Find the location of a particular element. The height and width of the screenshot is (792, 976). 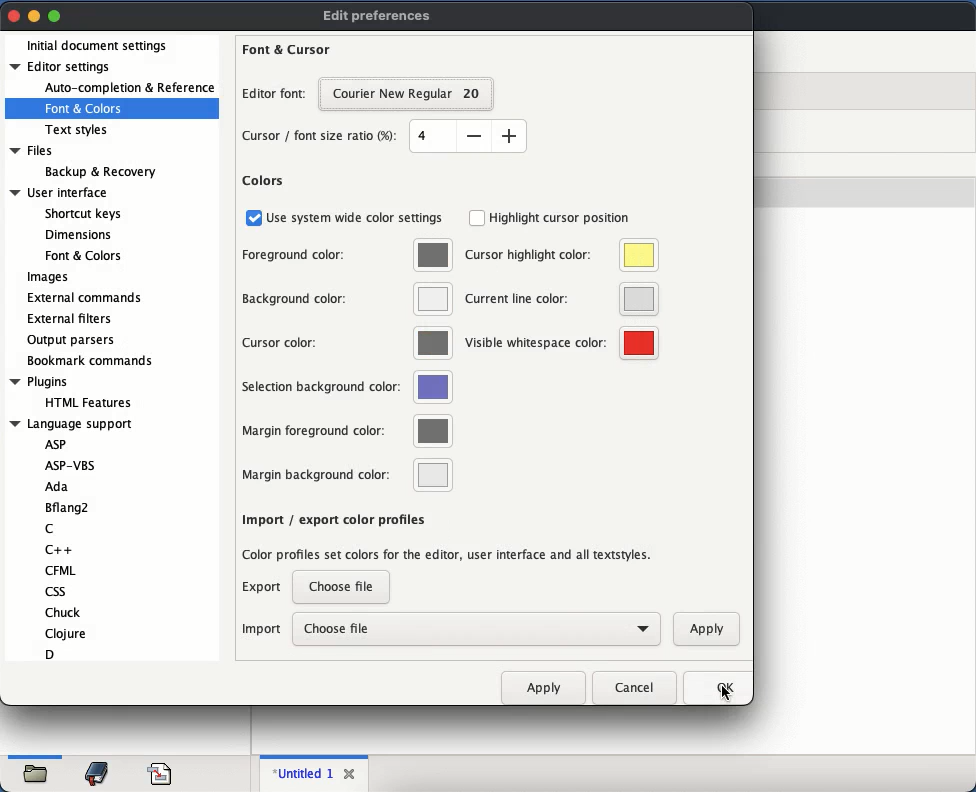

cursor  is located at coordinates (726, 694).